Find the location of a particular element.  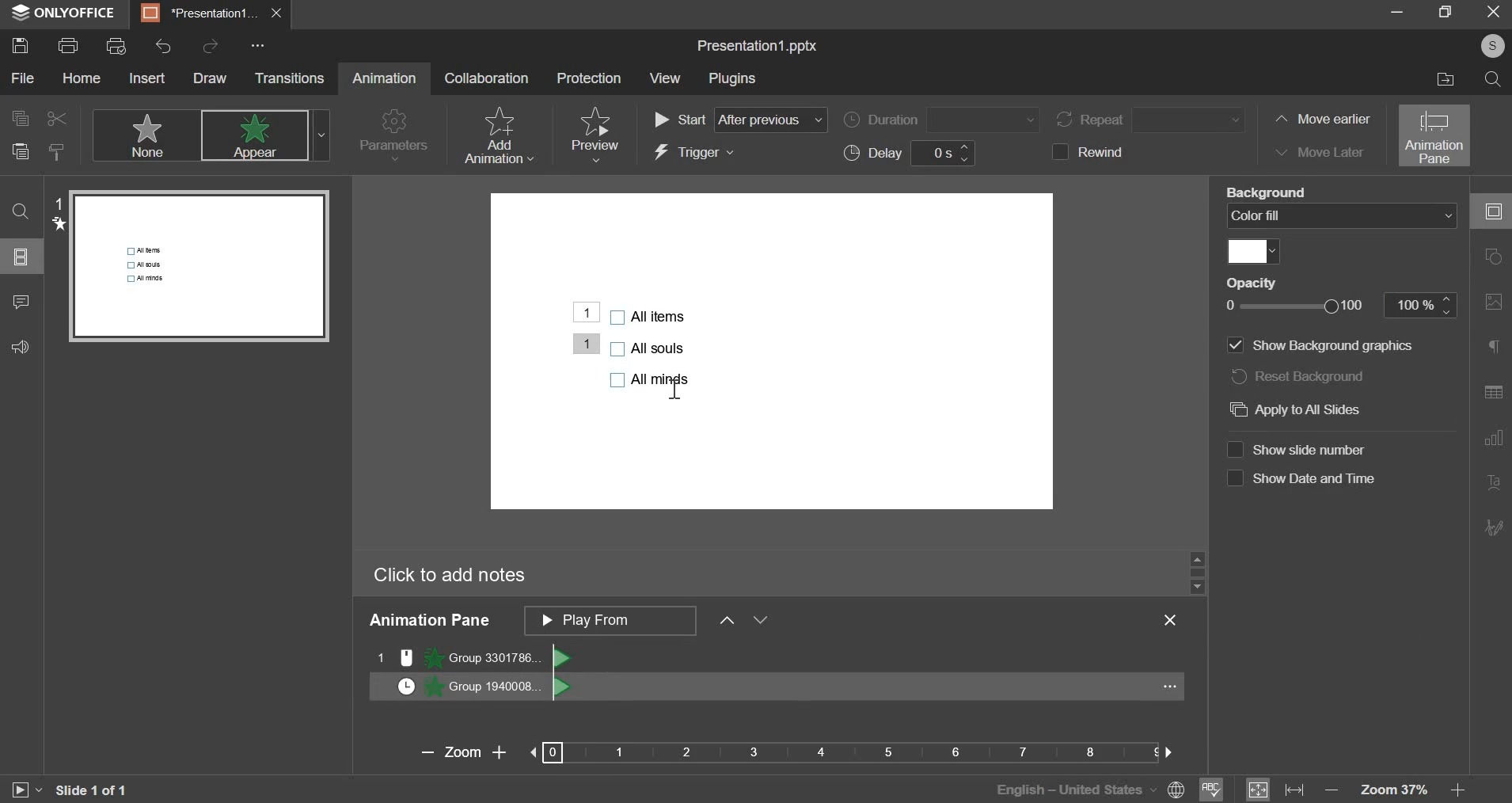

file name is located at coordinates (758, 47).